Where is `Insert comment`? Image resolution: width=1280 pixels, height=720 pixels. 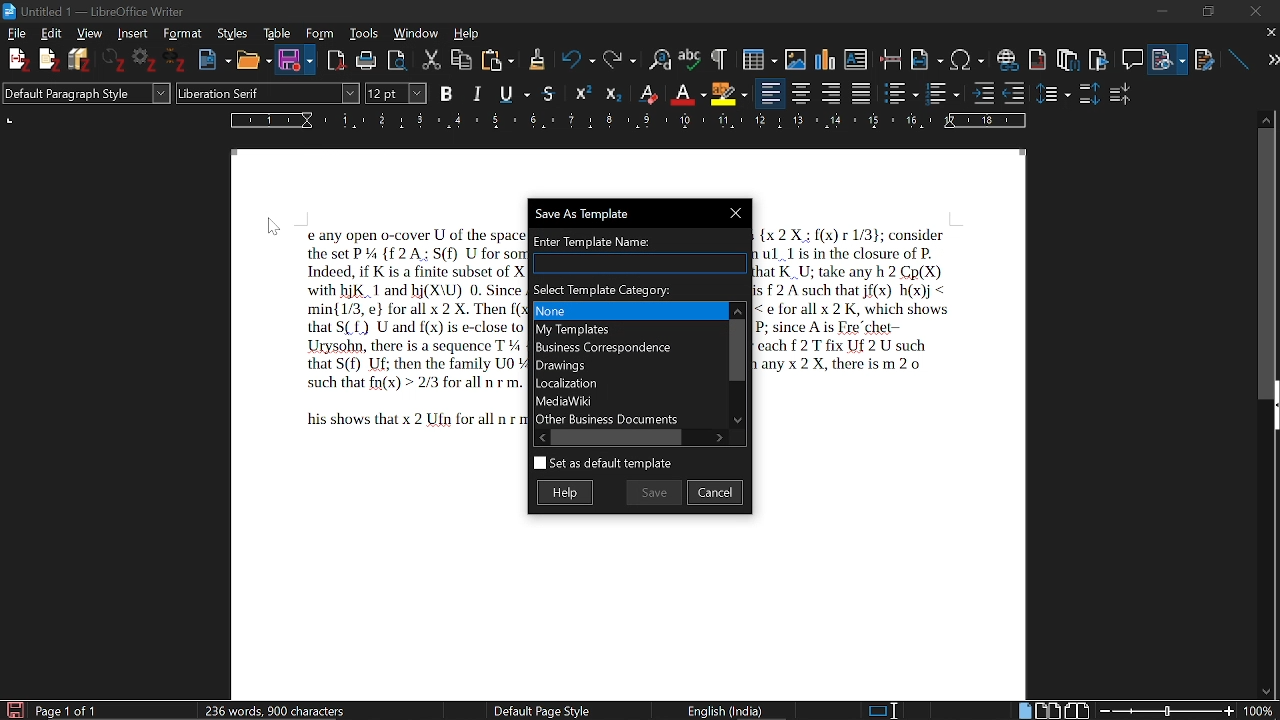 Insert comment is located at coordinates (1131, 55).